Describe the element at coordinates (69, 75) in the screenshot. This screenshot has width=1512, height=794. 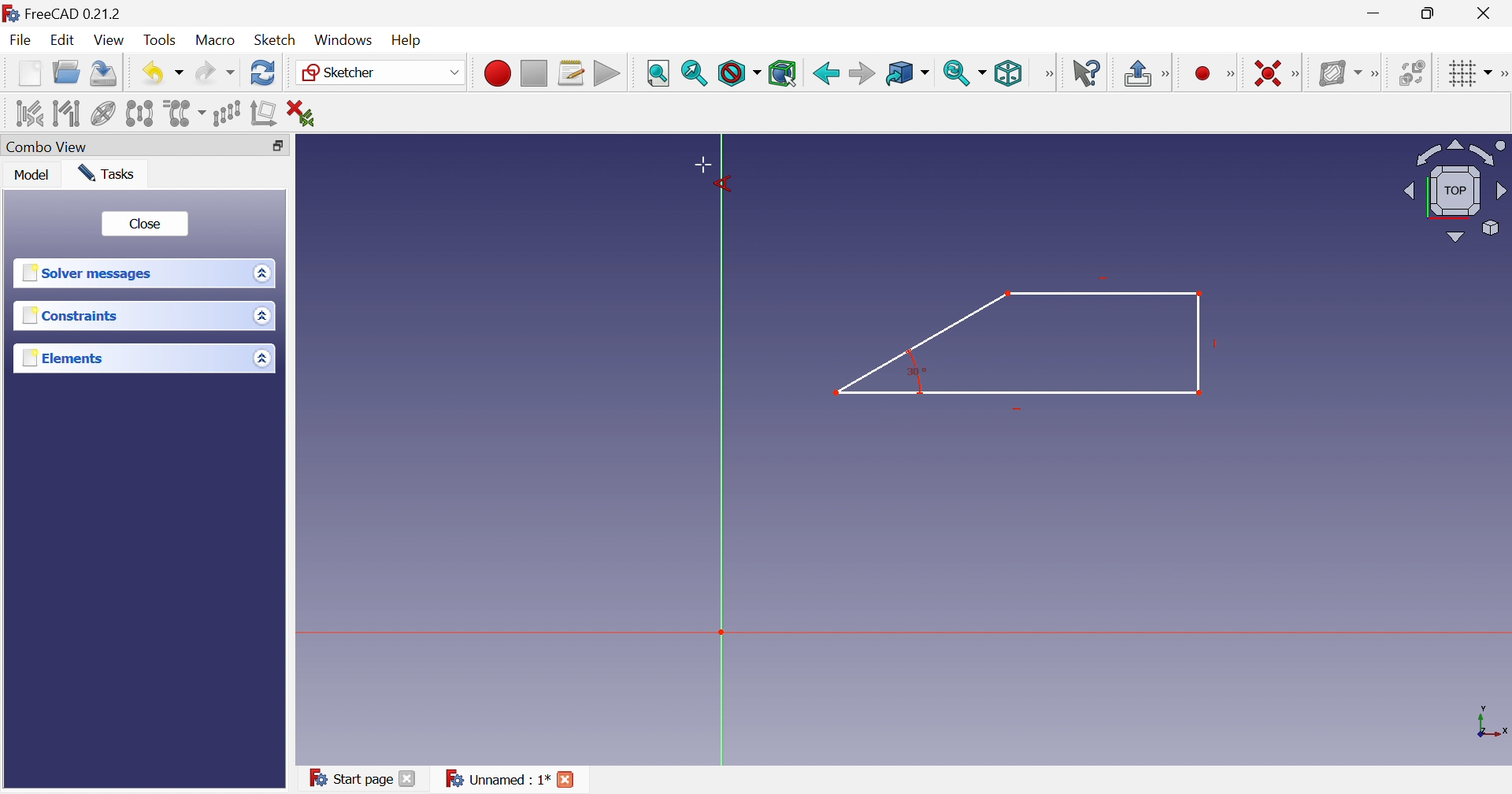
I see `Open` at that location.